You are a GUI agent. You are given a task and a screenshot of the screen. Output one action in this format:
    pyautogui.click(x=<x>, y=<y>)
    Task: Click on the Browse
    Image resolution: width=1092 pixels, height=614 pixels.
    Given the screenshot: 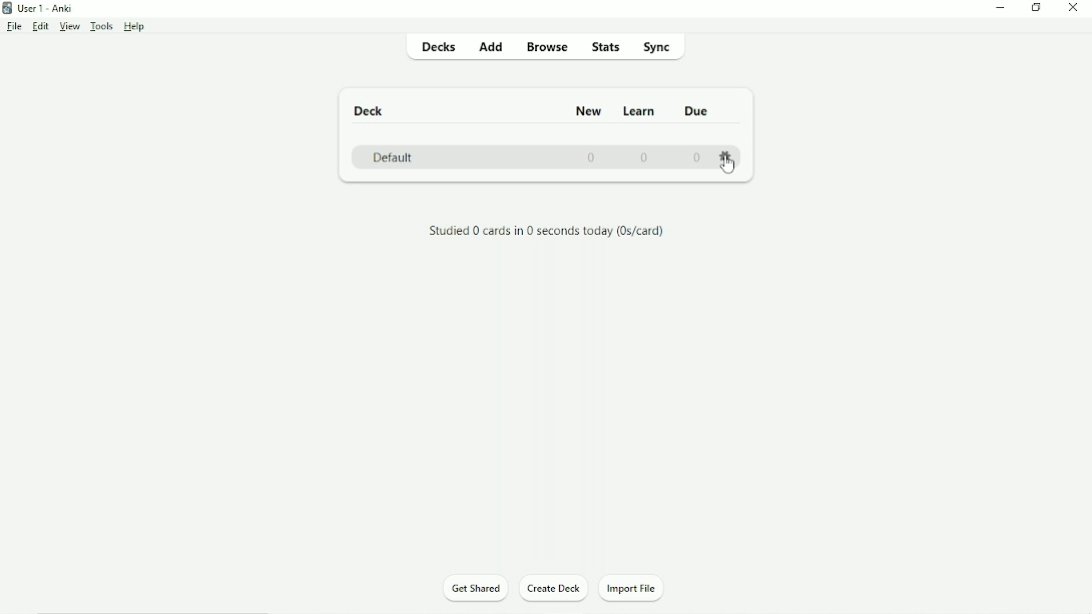 What is the action you would take?
    pyautogui.click(x=547, y=49)
    